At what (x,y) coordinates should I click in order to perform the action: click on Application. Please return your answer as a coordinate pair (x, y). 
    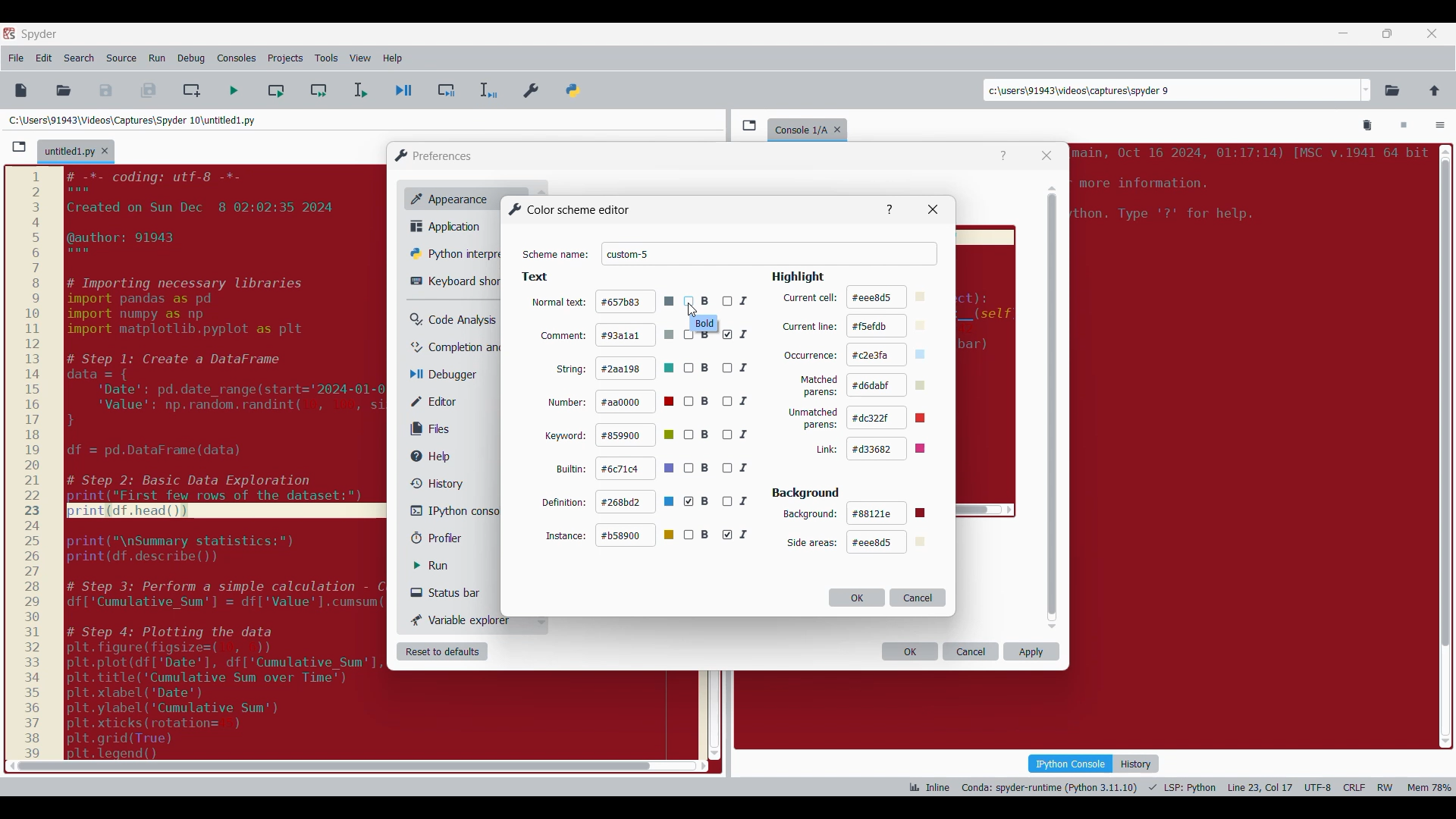
    Looking at the image, I should click on (450, 226).